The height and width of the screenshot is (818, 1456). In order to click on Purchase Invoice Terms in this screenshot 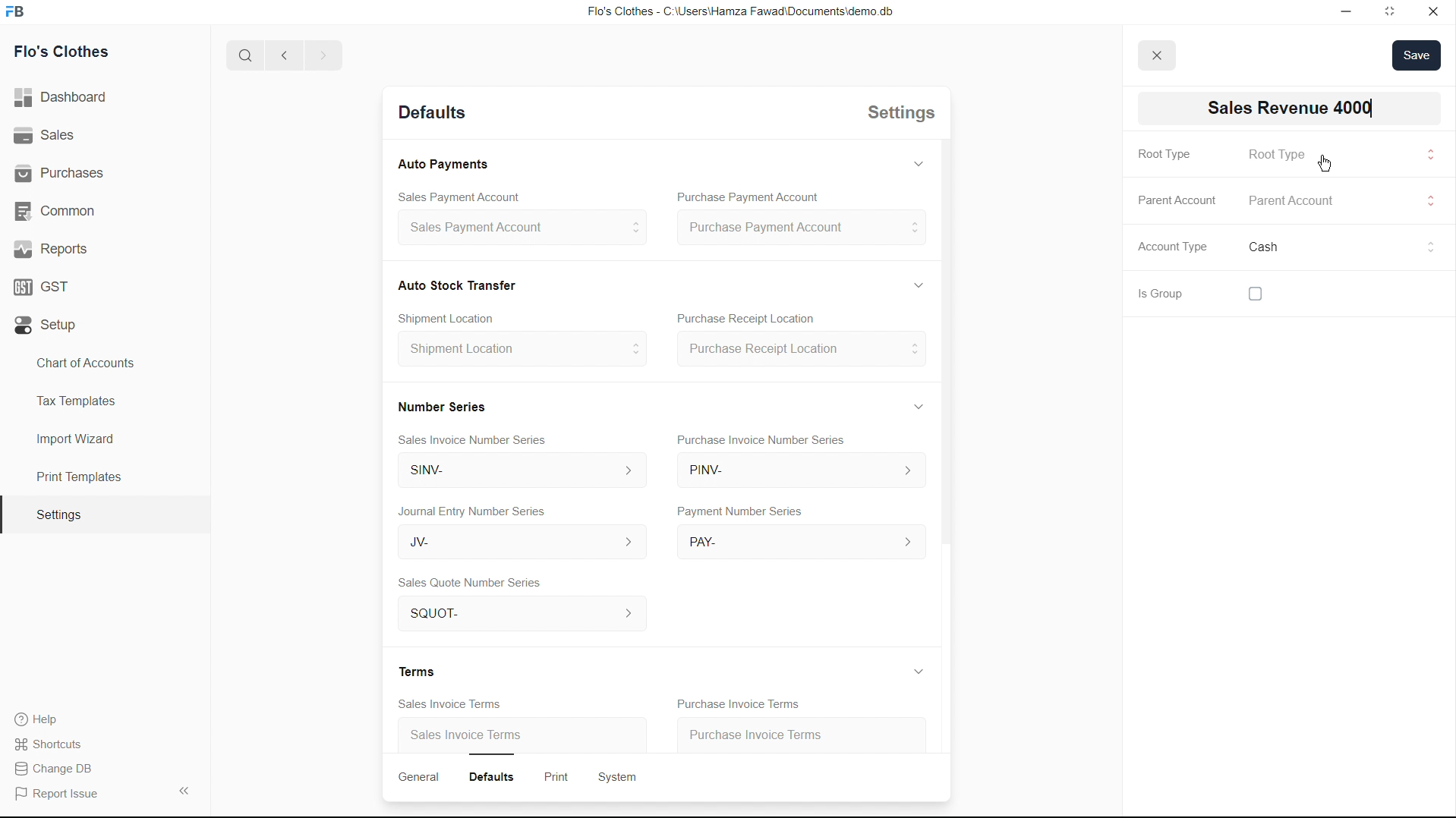, I will do `click(771, 731)`.